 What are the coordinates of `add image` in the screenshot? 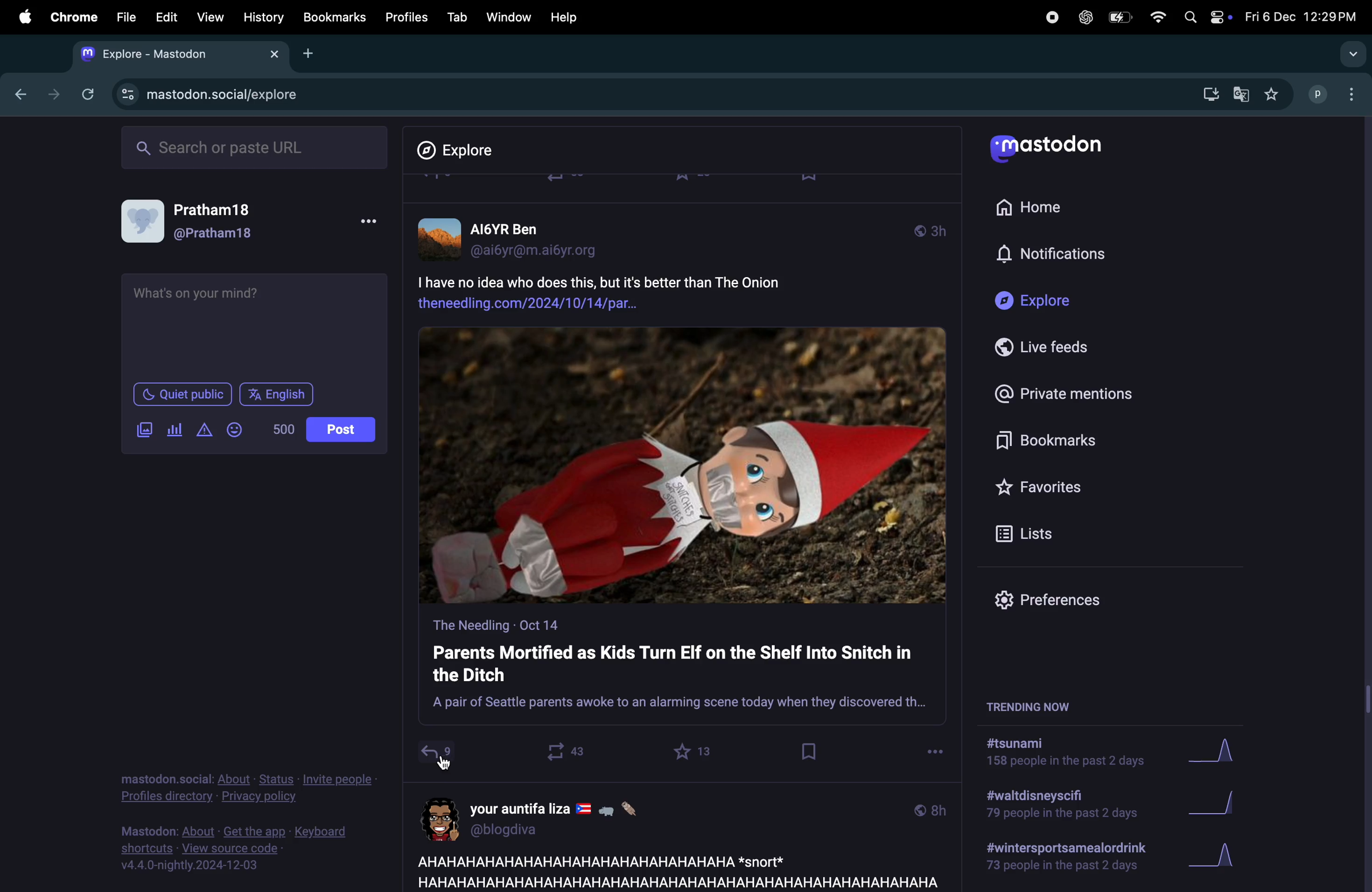 It's located at (144, 430).